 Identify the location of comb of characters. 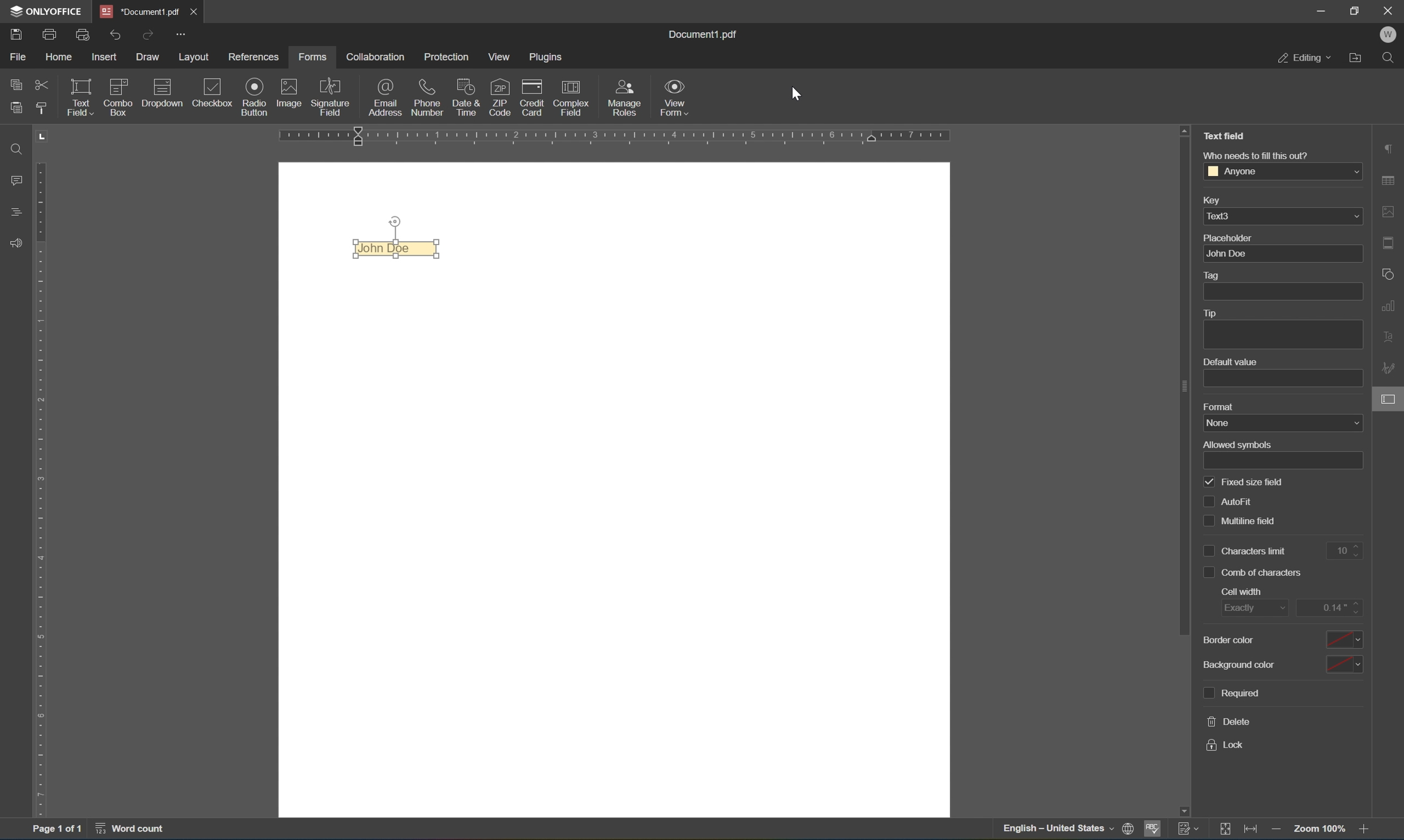
(1252, 573).